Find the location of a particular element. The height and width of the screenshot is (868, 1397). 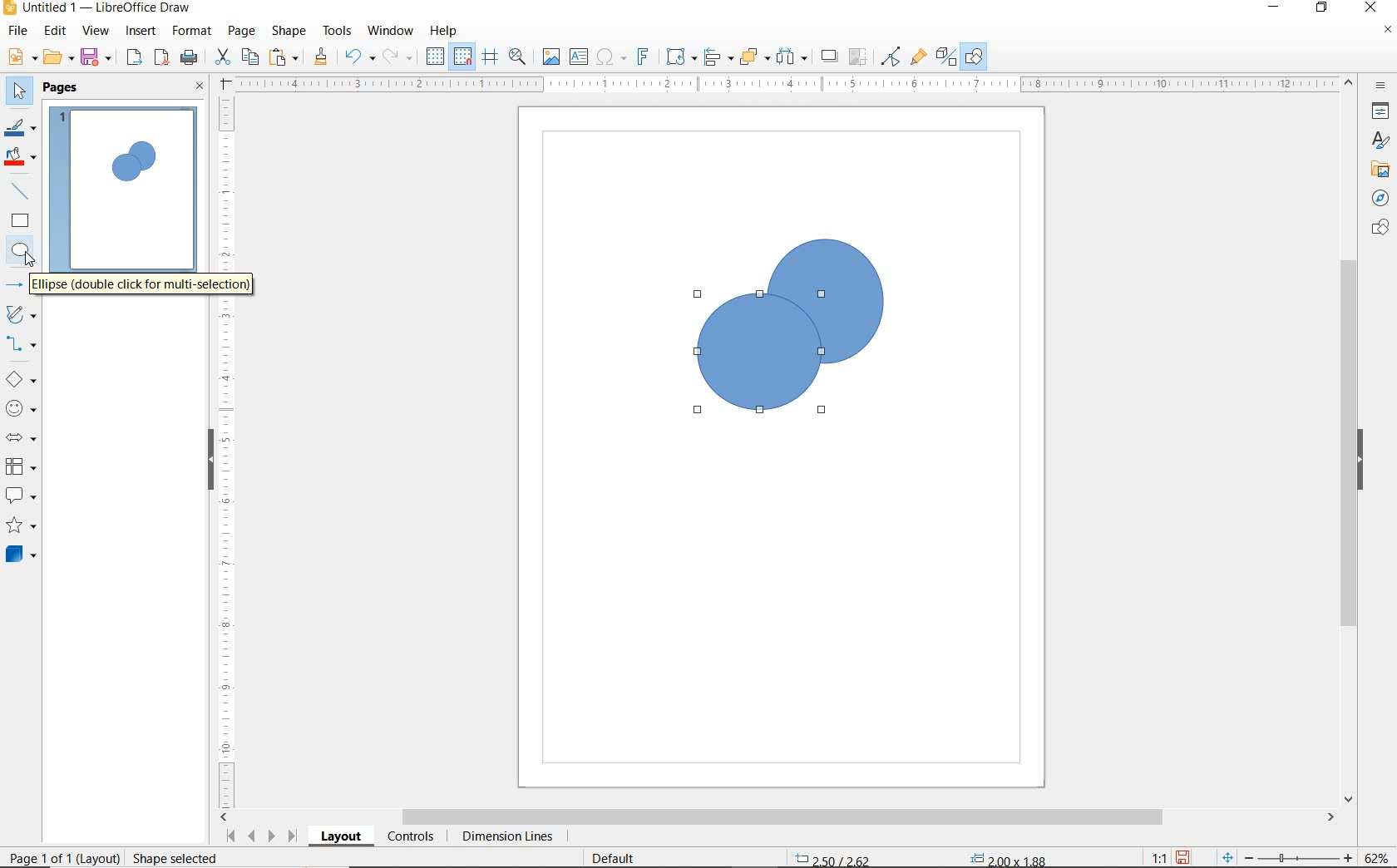

SHADOW is located at coordinates (830, 58).